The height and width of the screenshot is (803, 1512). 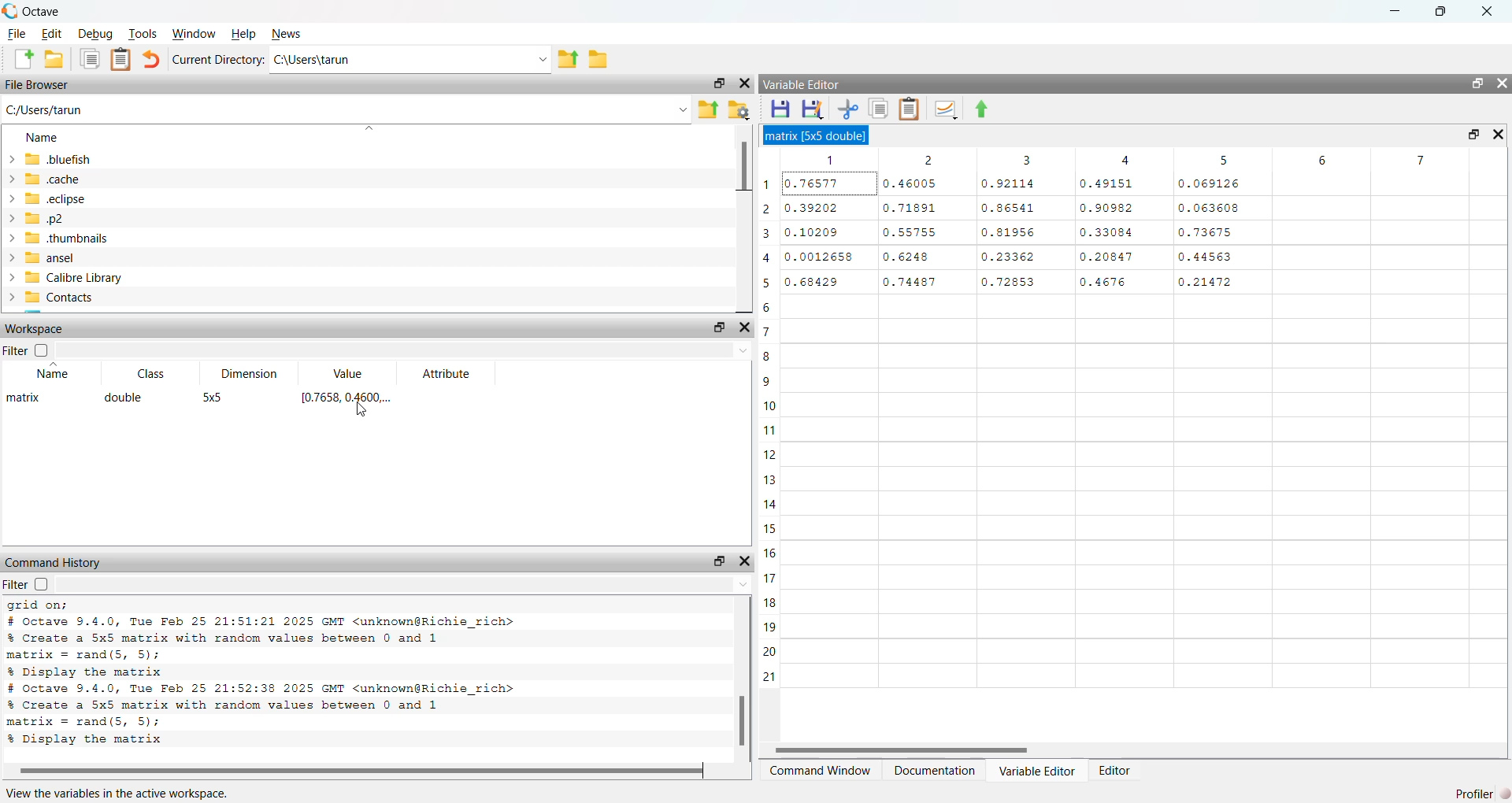 I want to click on drop down, so click(x=538, y=58).